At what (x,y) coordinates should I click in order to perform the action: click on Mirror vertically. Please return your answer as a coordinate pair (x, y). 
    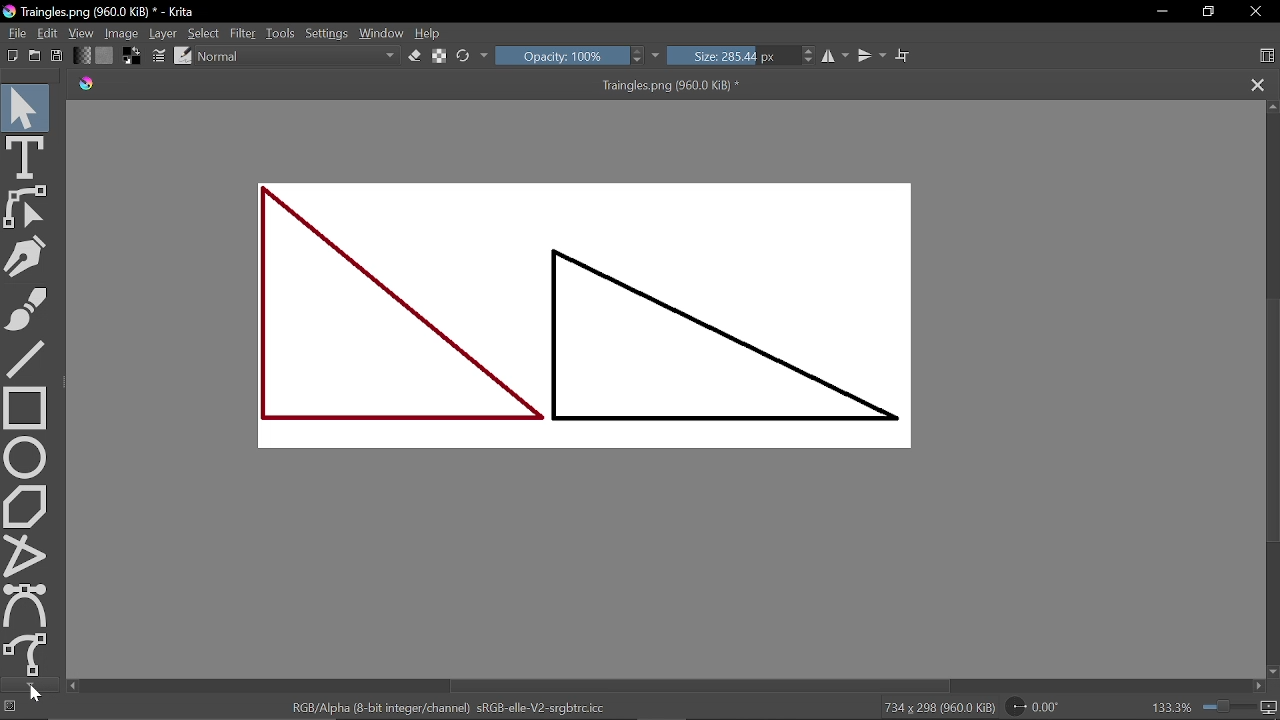
    Looking at the image, I should click on (870, 56).